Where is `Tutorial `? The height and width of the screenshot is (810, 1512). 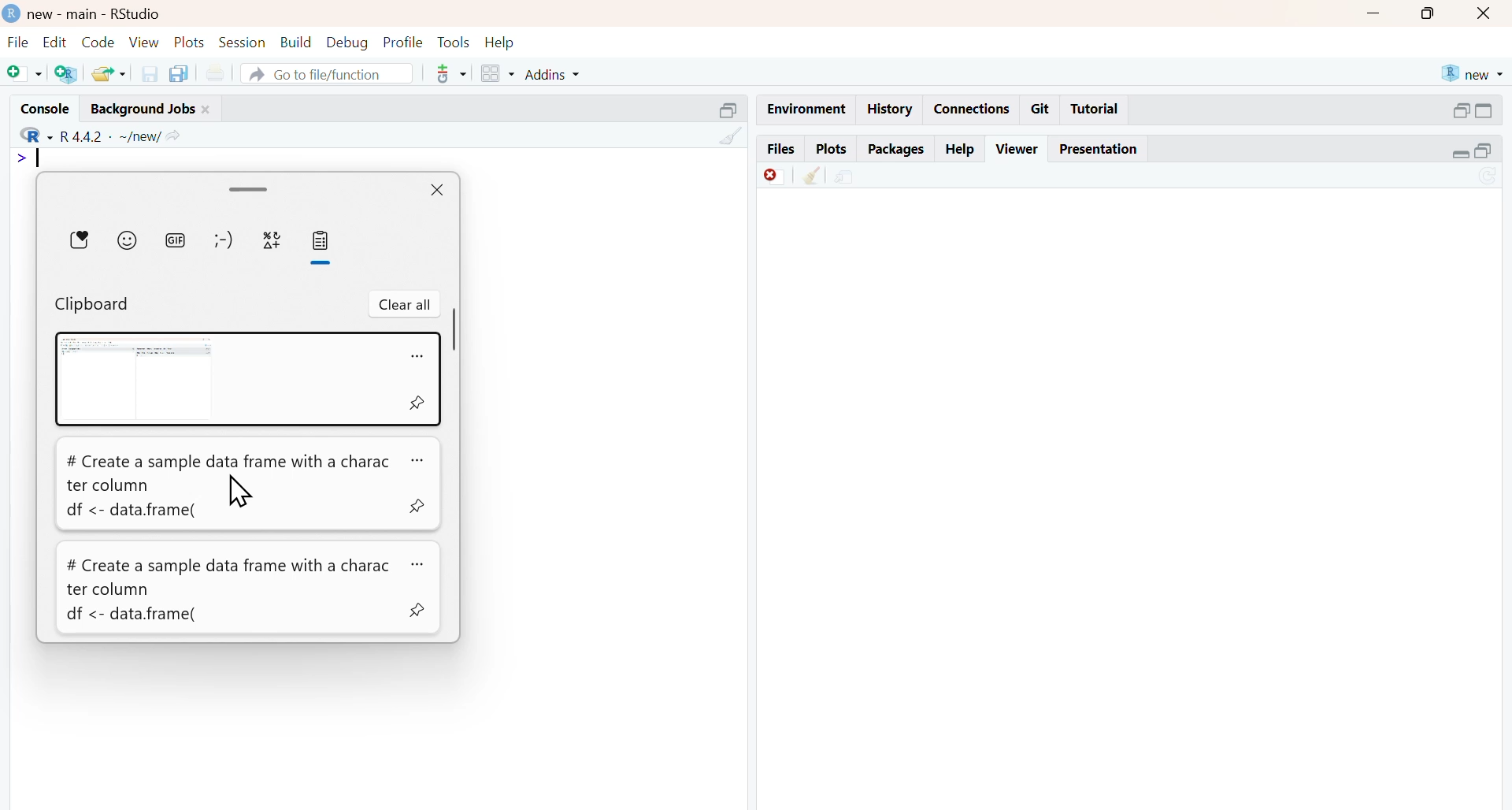
Tutorial  is located at coordinates (1095, 108).